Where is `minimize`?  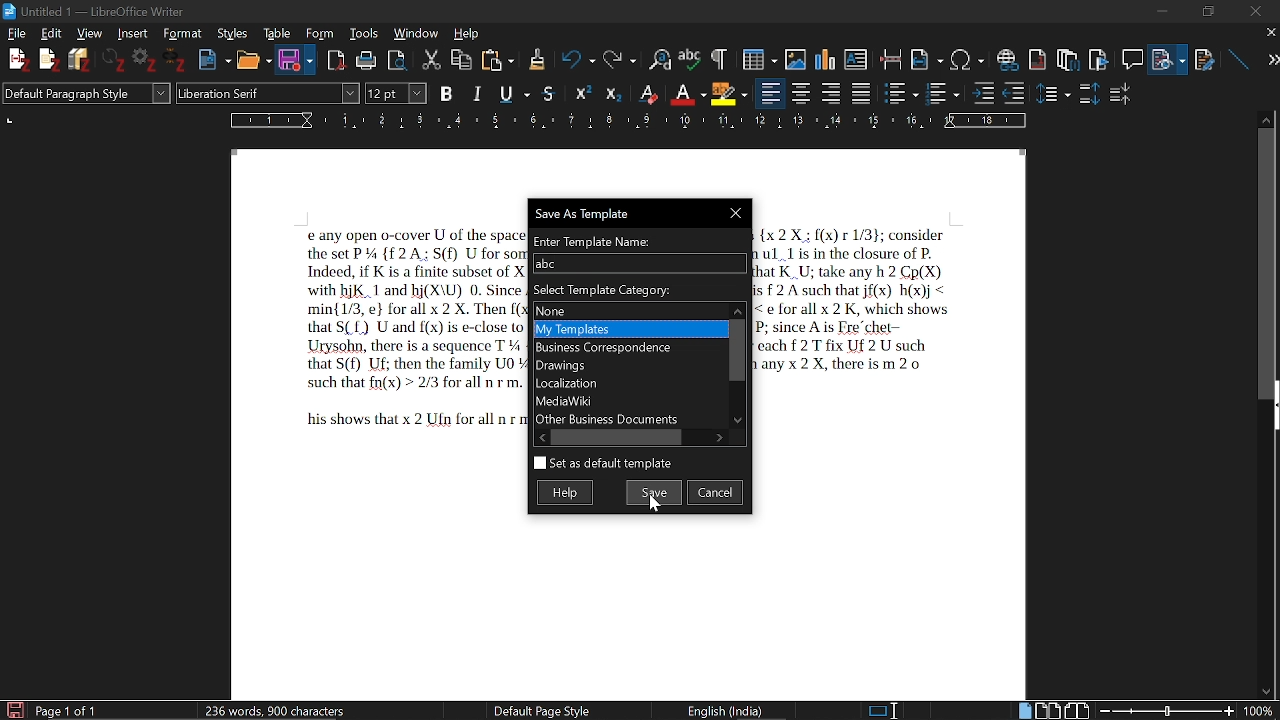 minimize is located at coordinates (1166, 12).